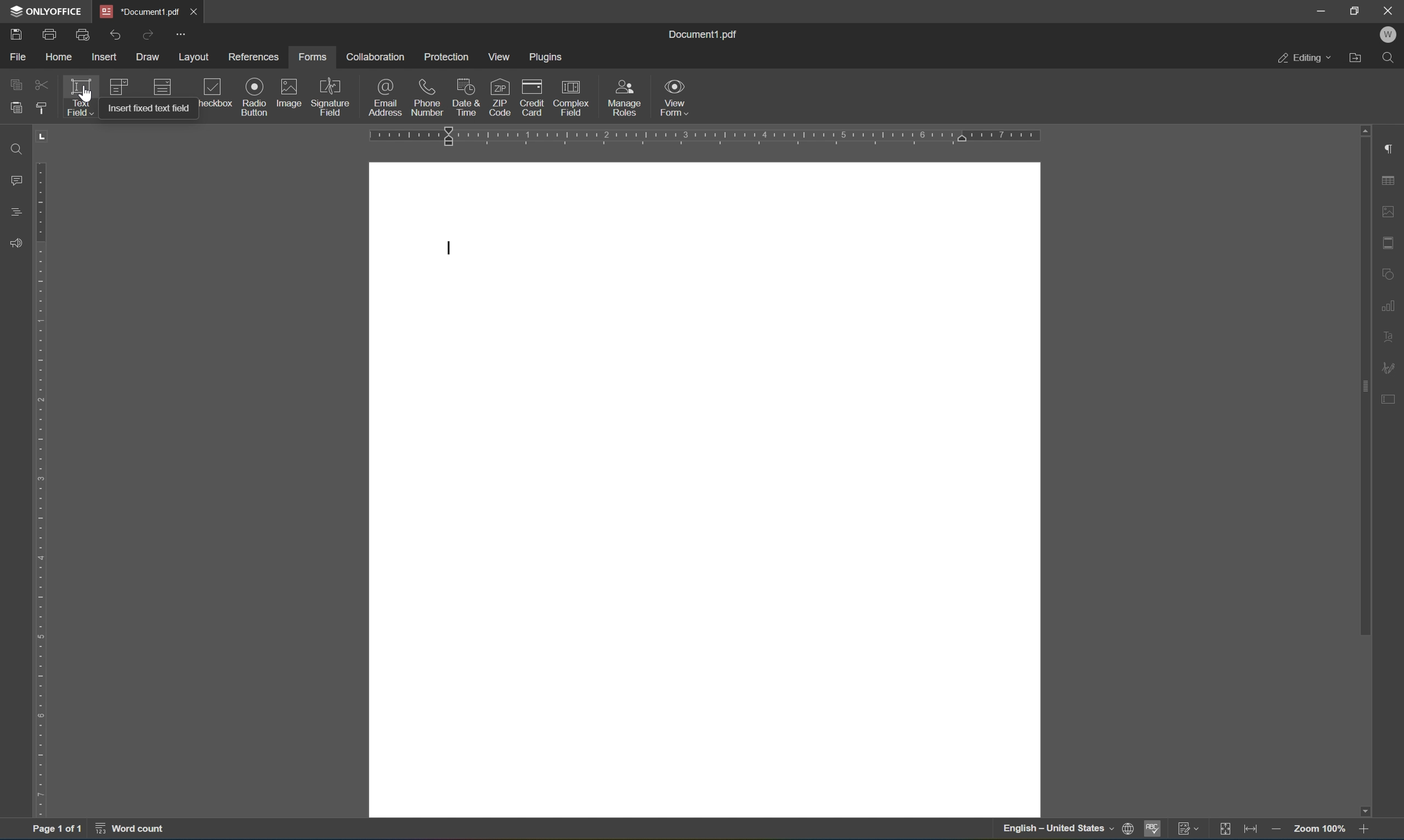 This screenshot has width=1404, height=840. I want to click on file, so click(18, 56).